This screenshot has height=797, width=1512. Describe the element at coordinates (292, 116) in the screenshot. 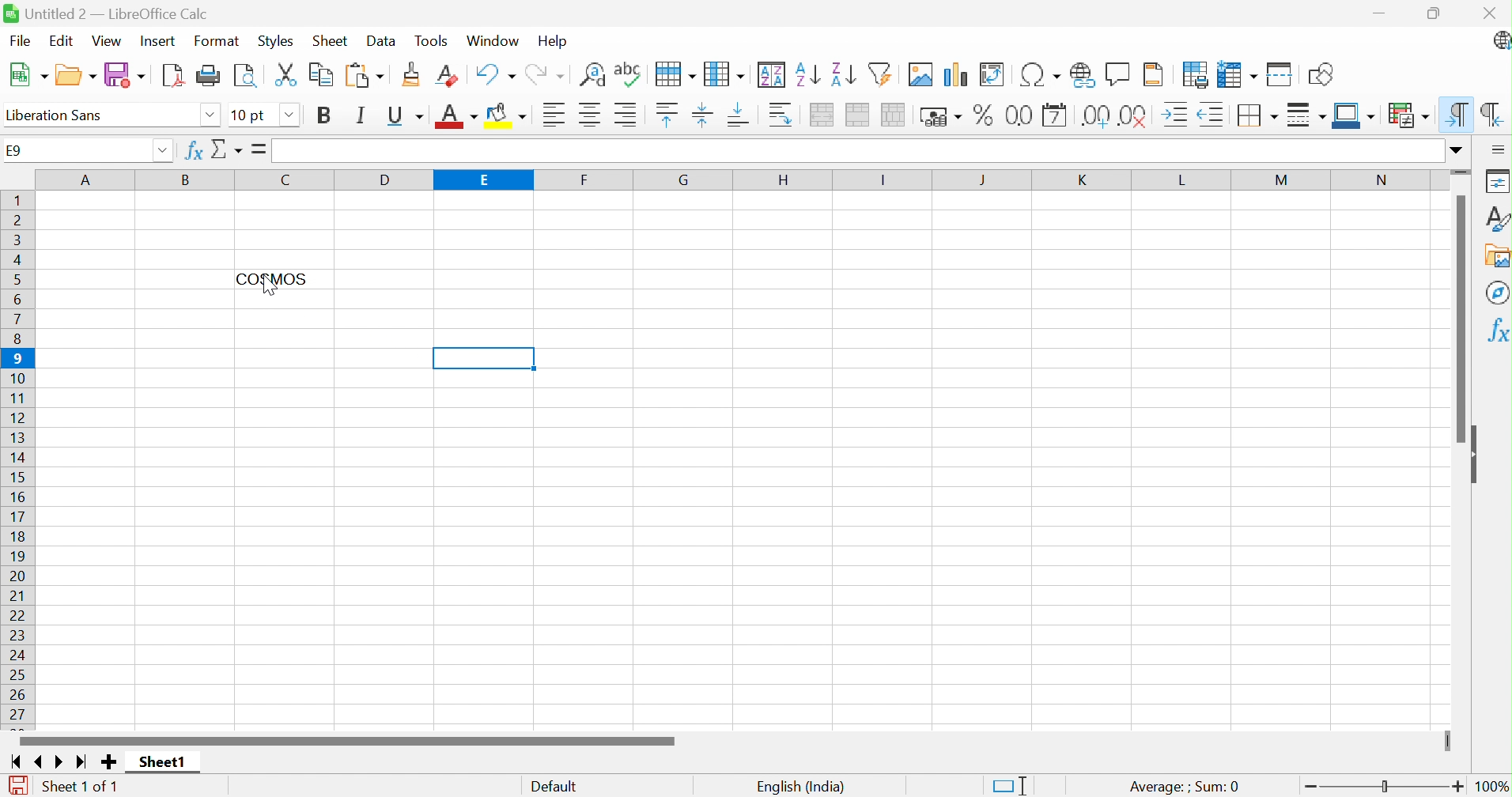

I see `Drop down` at that location.